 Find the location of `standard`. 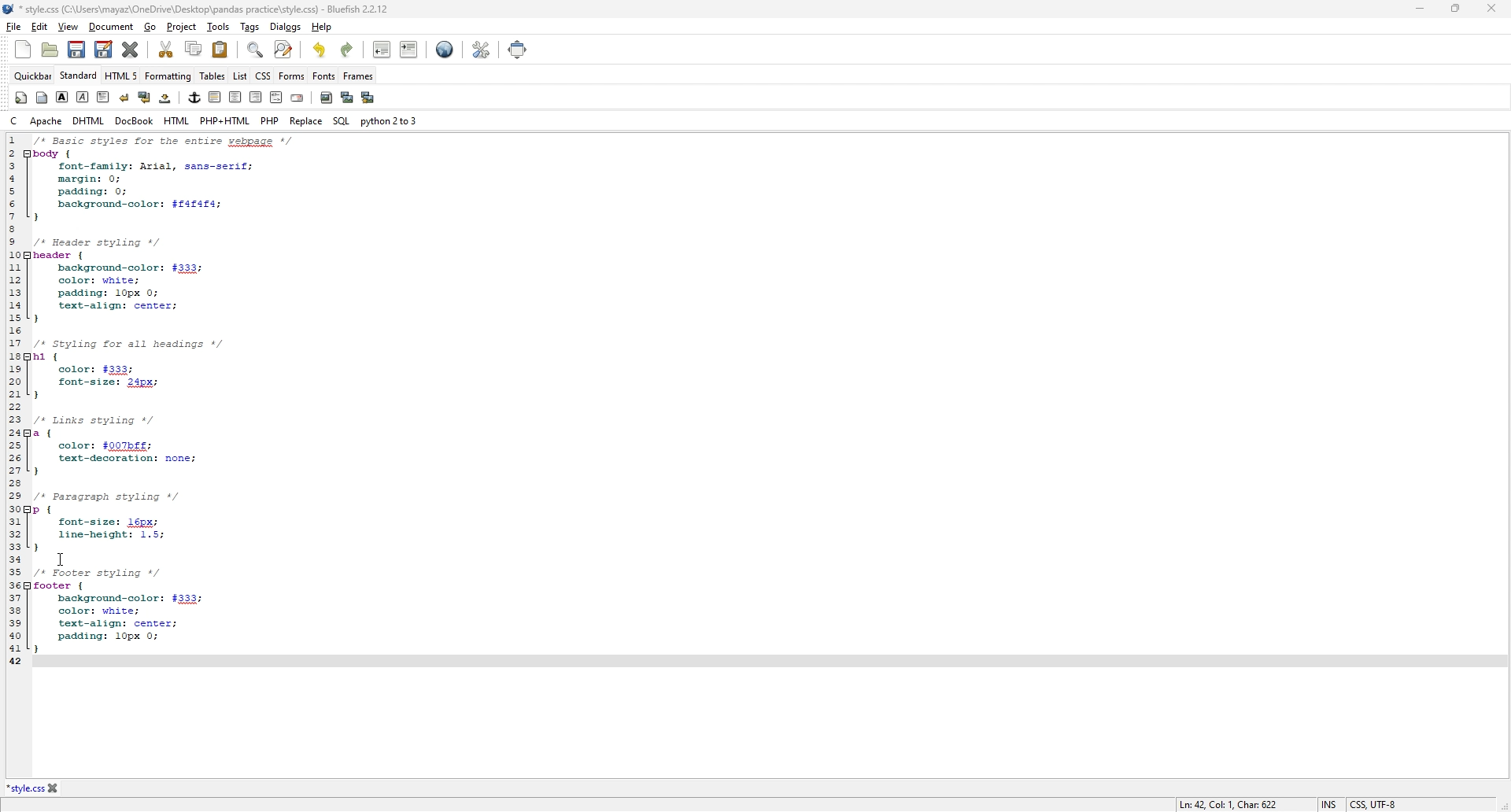

standard is located at coordinates (79, 76).